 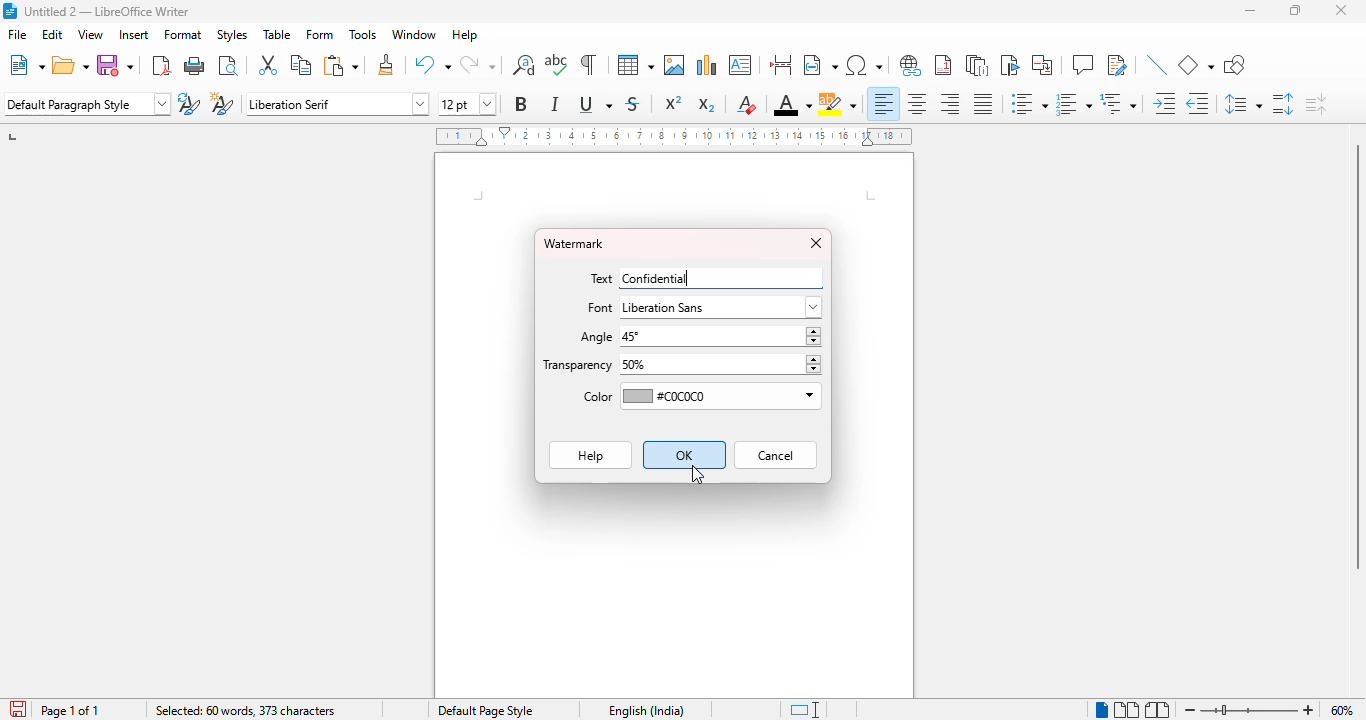 What do you see at coordinates (806, 710) in the screenshot?
I see `standard selection` at bounding box center [806, 710].